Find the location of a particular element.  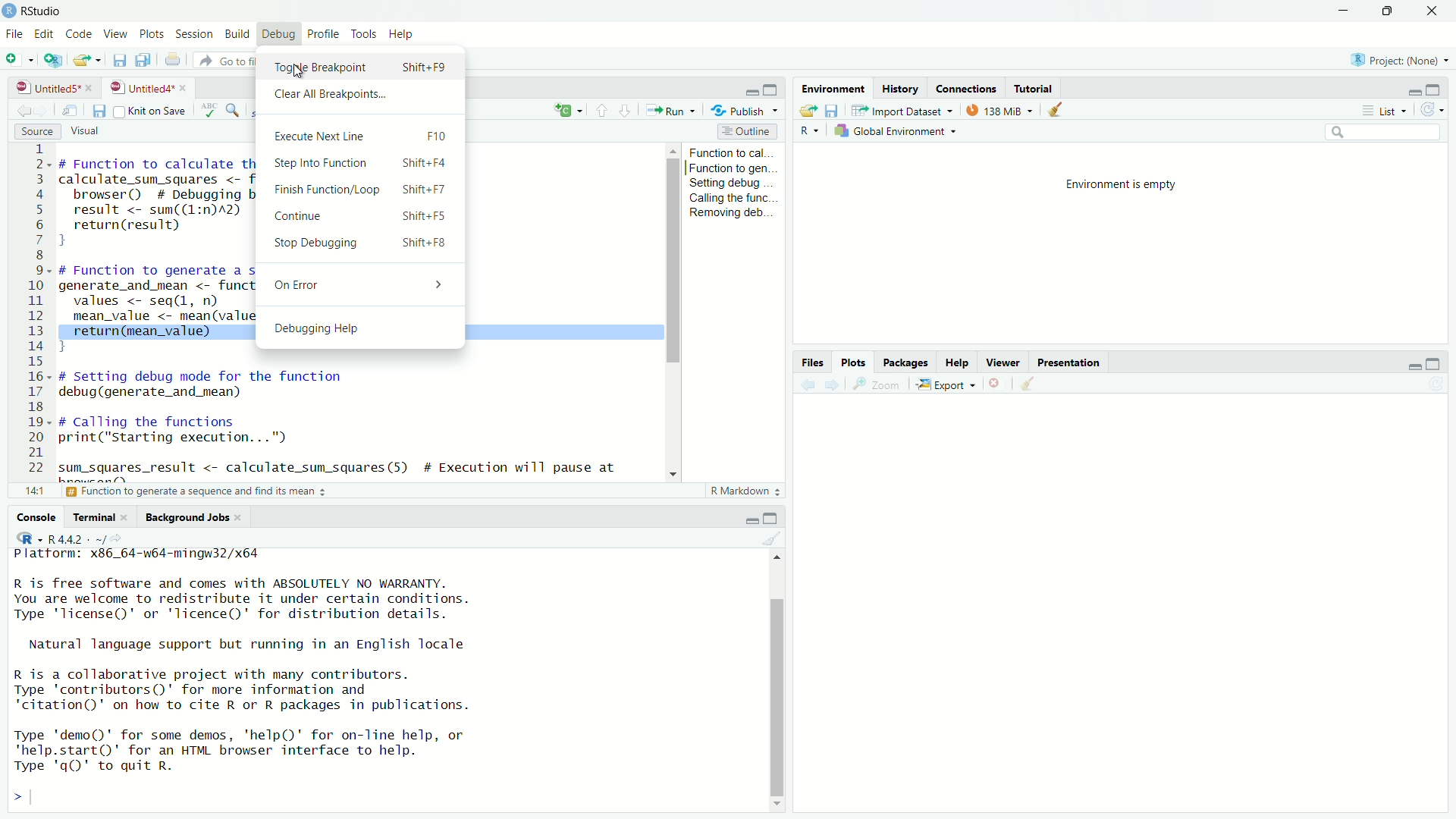

go to file/function is located at coordinates (226, 61).